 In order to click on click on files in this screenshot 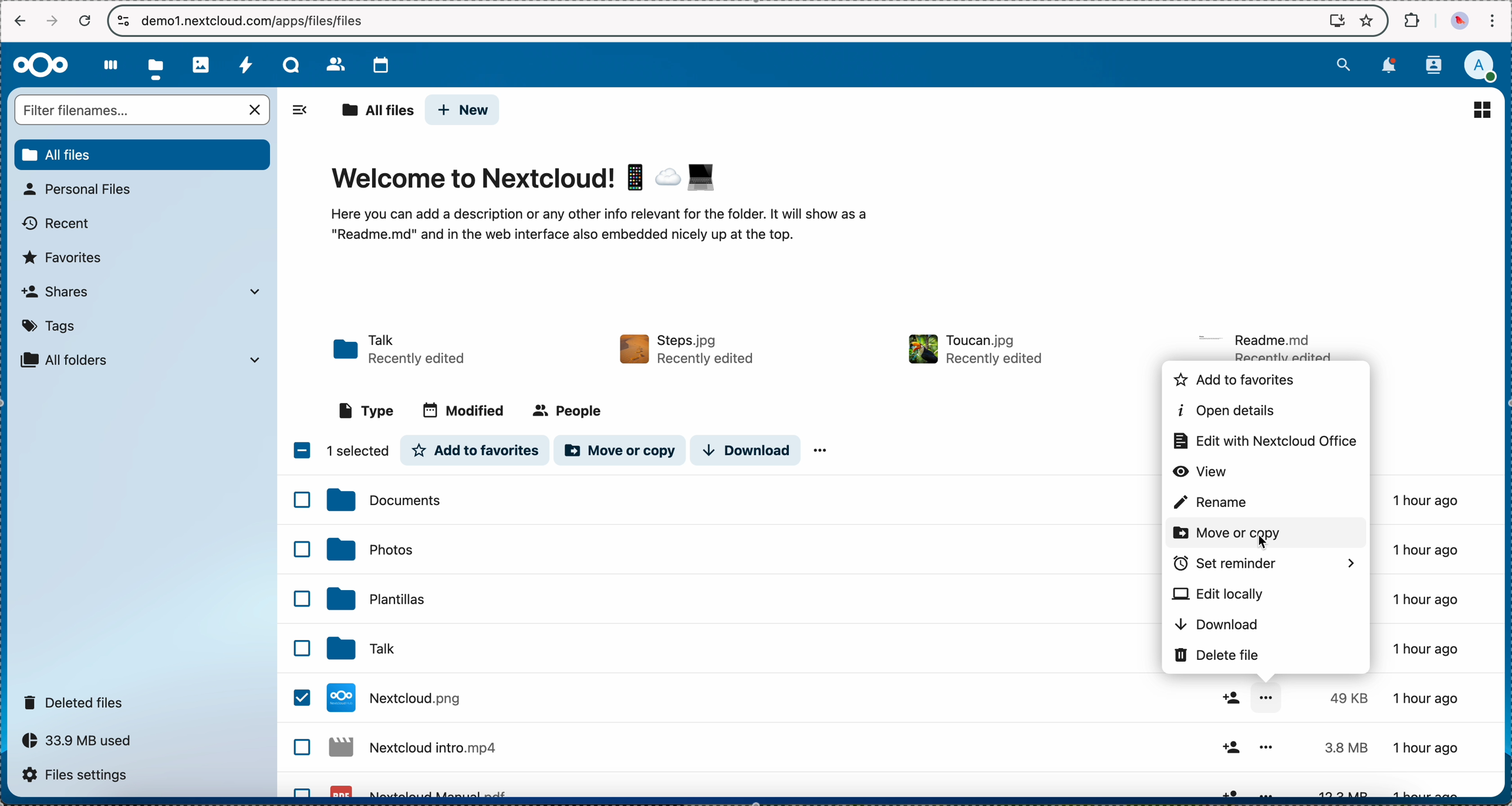, I will do `click(158, 65)`.